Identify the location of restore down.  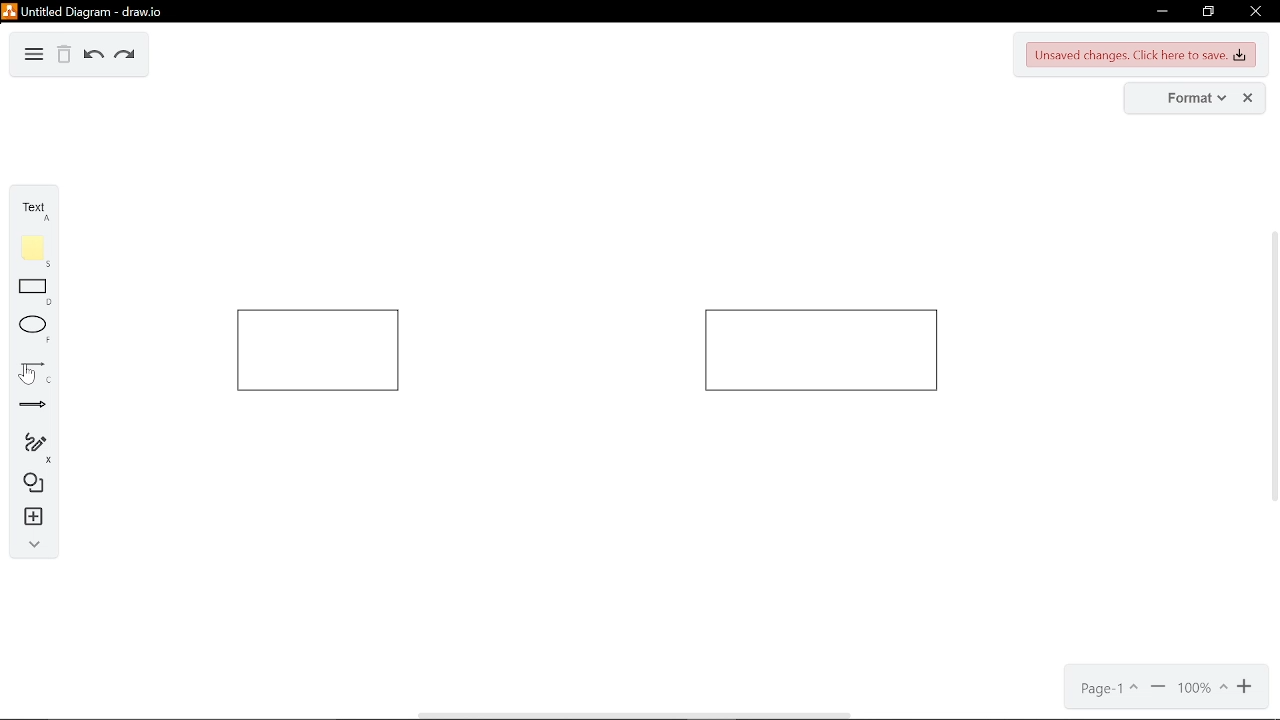
(1209, 12).